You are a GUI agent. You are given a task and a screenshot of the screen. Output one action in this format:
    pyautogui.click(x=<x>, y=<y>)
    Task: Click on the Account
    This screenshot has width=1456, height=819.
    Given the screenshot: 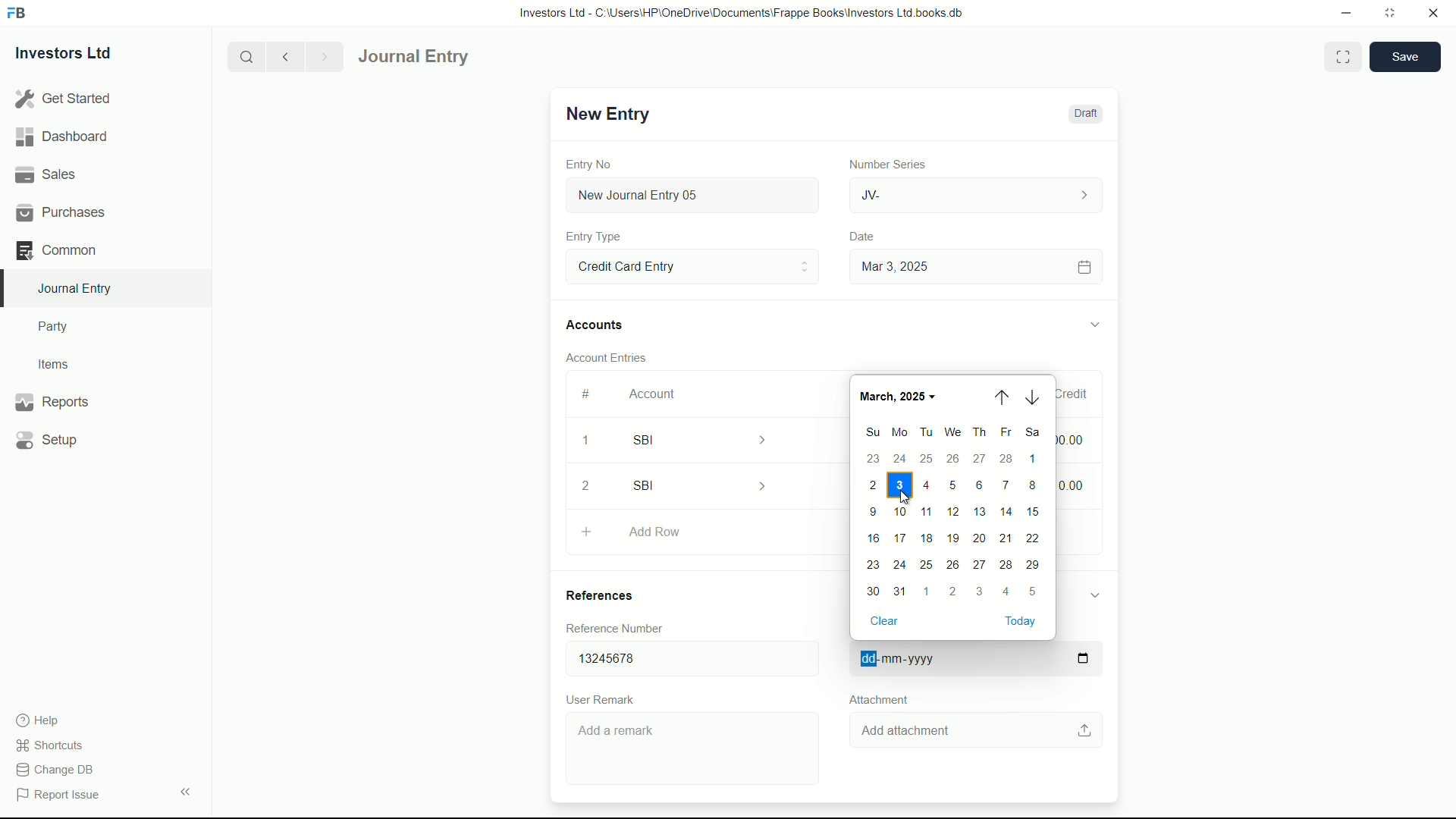 What is the action you would take?
    pyautogui.click(x=653, y=394)
    